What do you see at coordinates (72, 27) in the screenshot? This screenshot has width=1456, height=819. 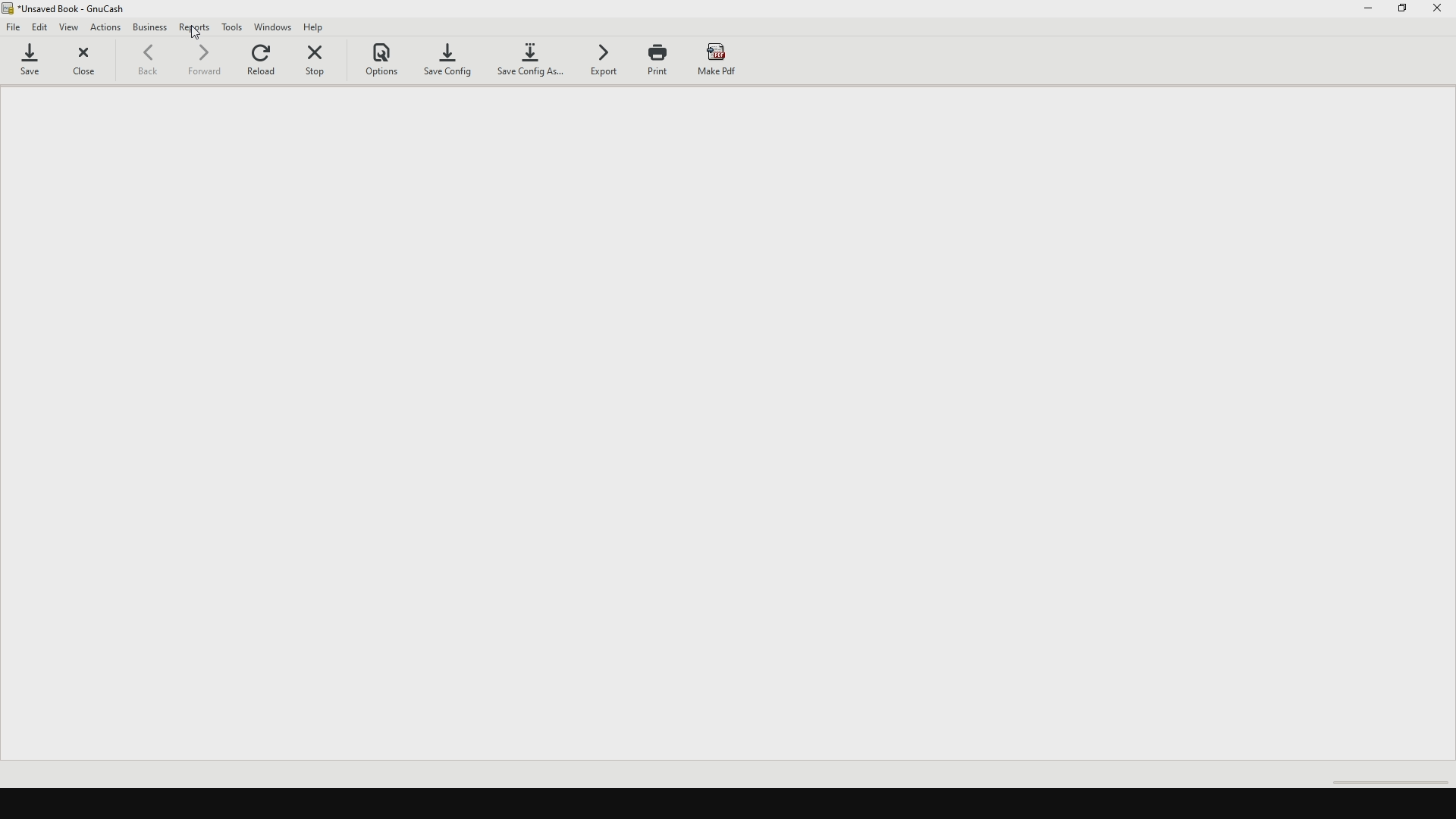 I see `view` at bounding box center [72, 27].